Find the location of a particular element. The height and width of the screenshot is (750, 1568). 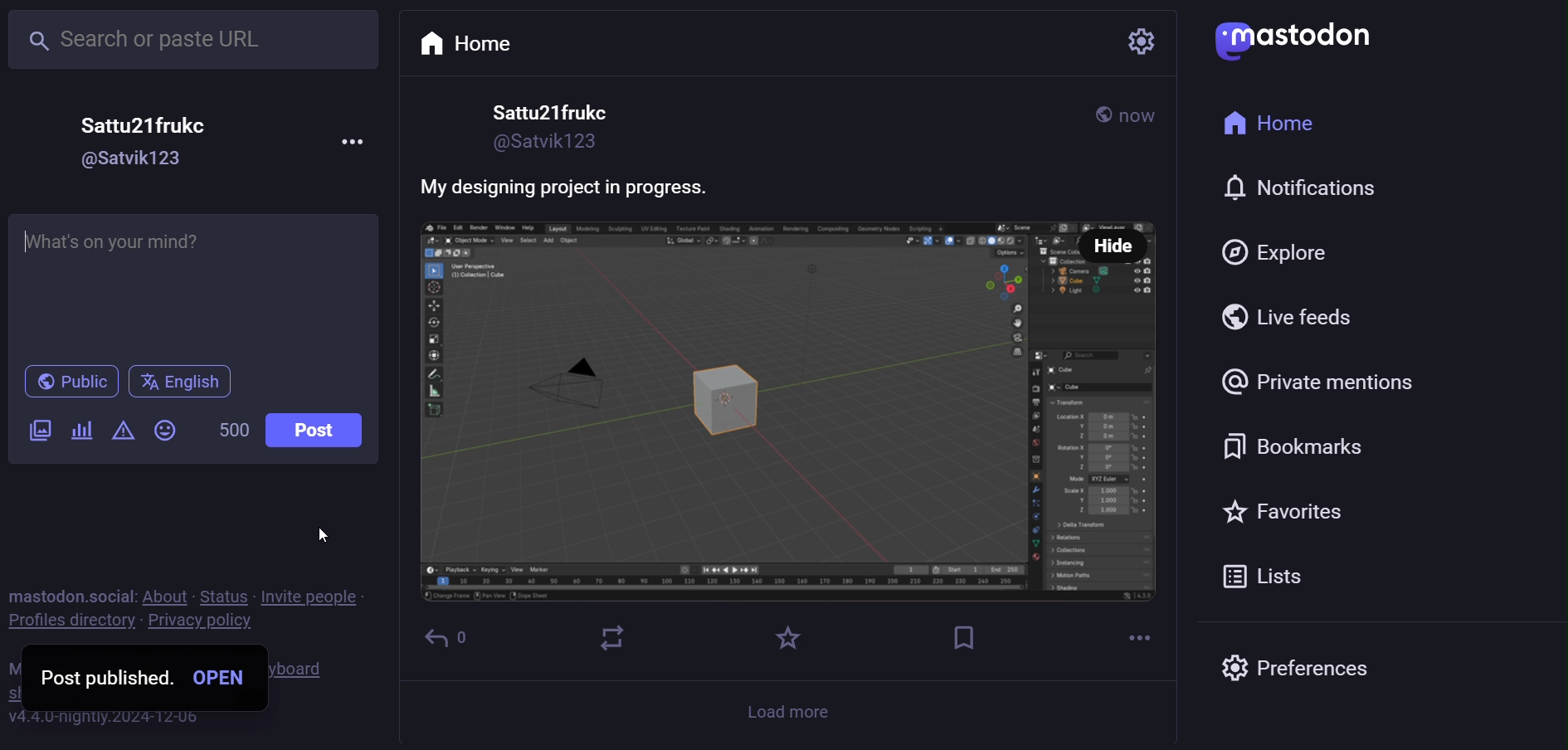

favorite is located at coordinates (1286, 514).